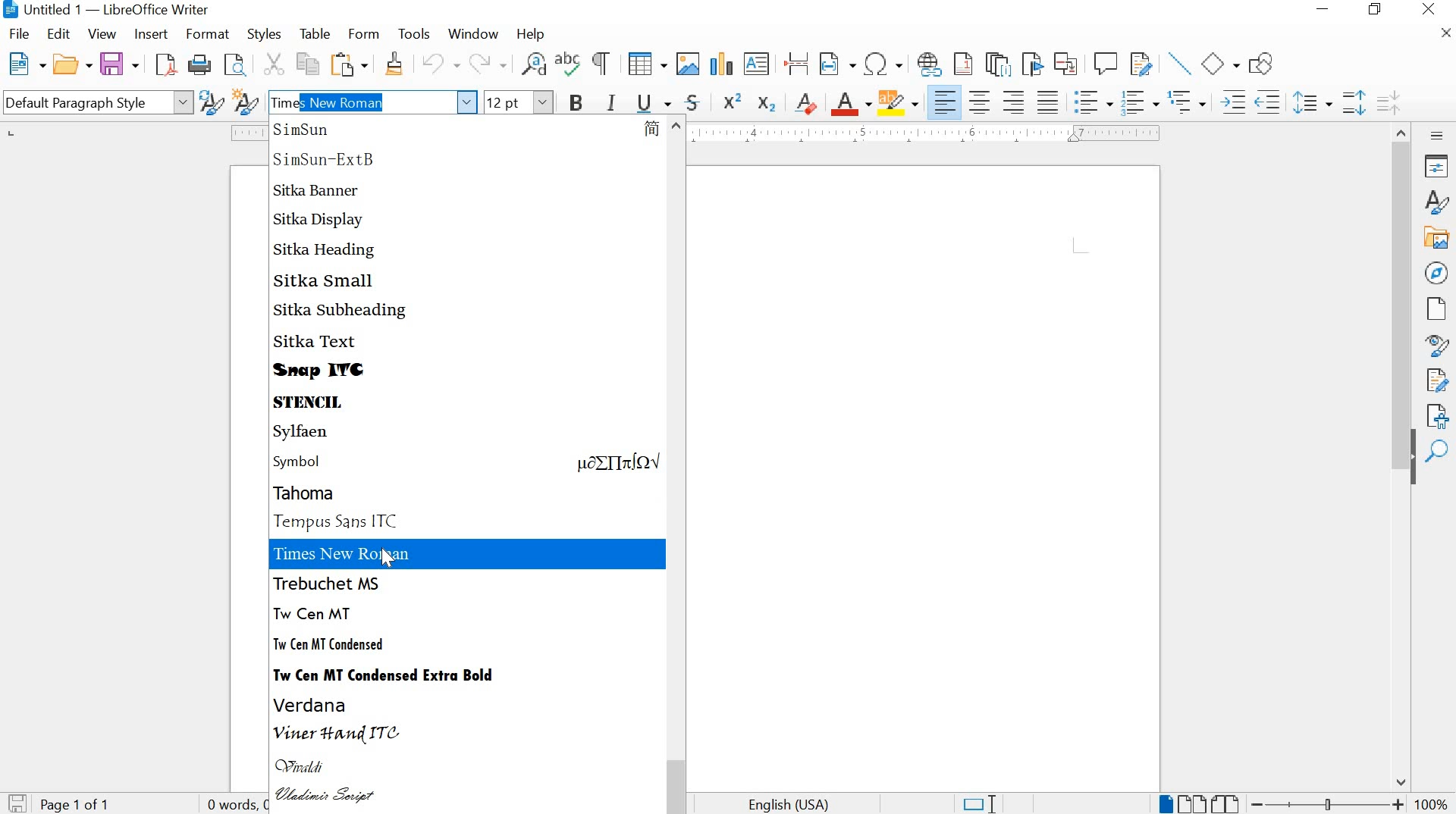  What do you see at coordinates (58, 36) in the screenshot?
I see `EDIT` at bounding box center [58, 36].